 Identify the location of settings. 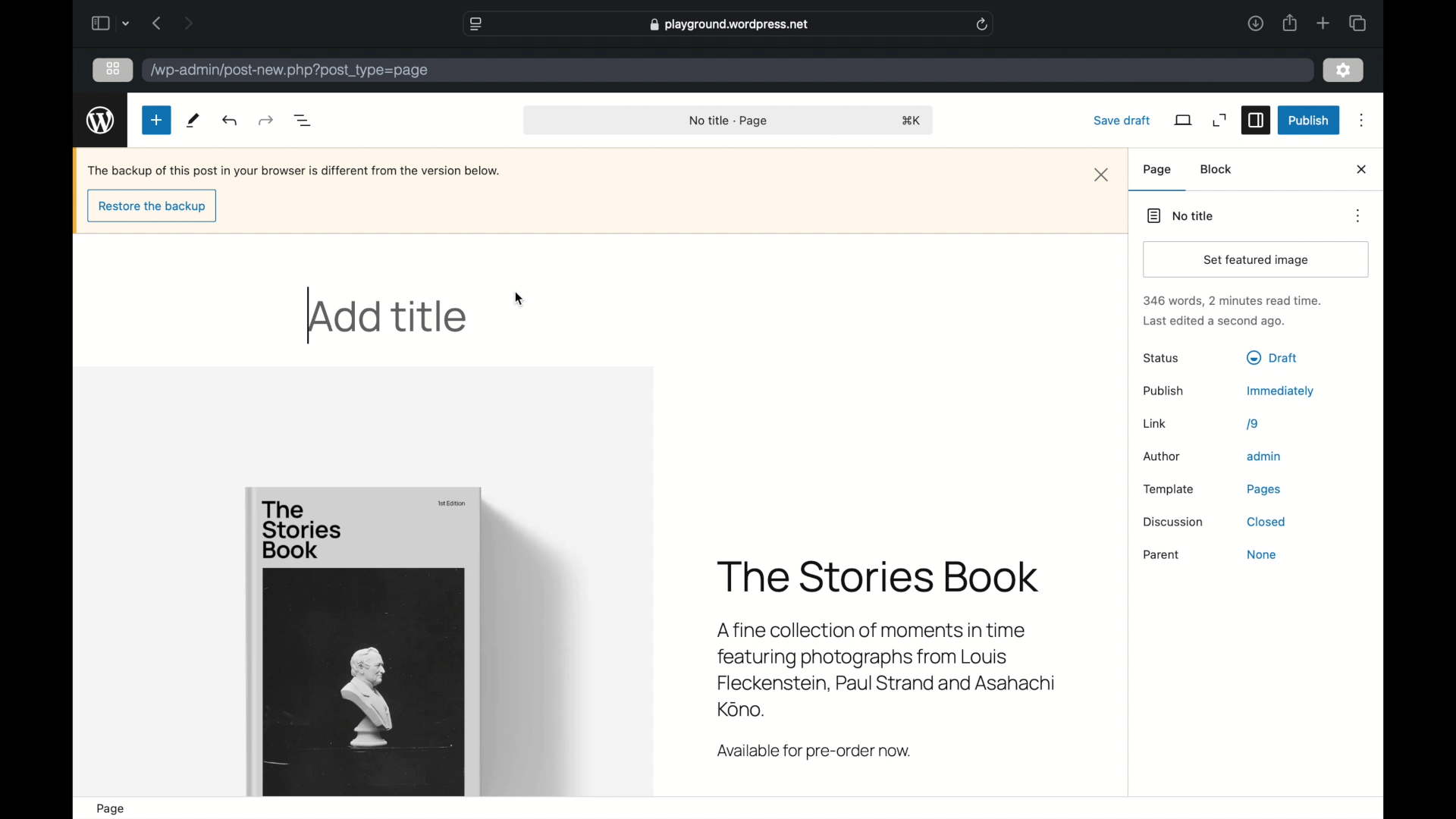
(1344, 71).